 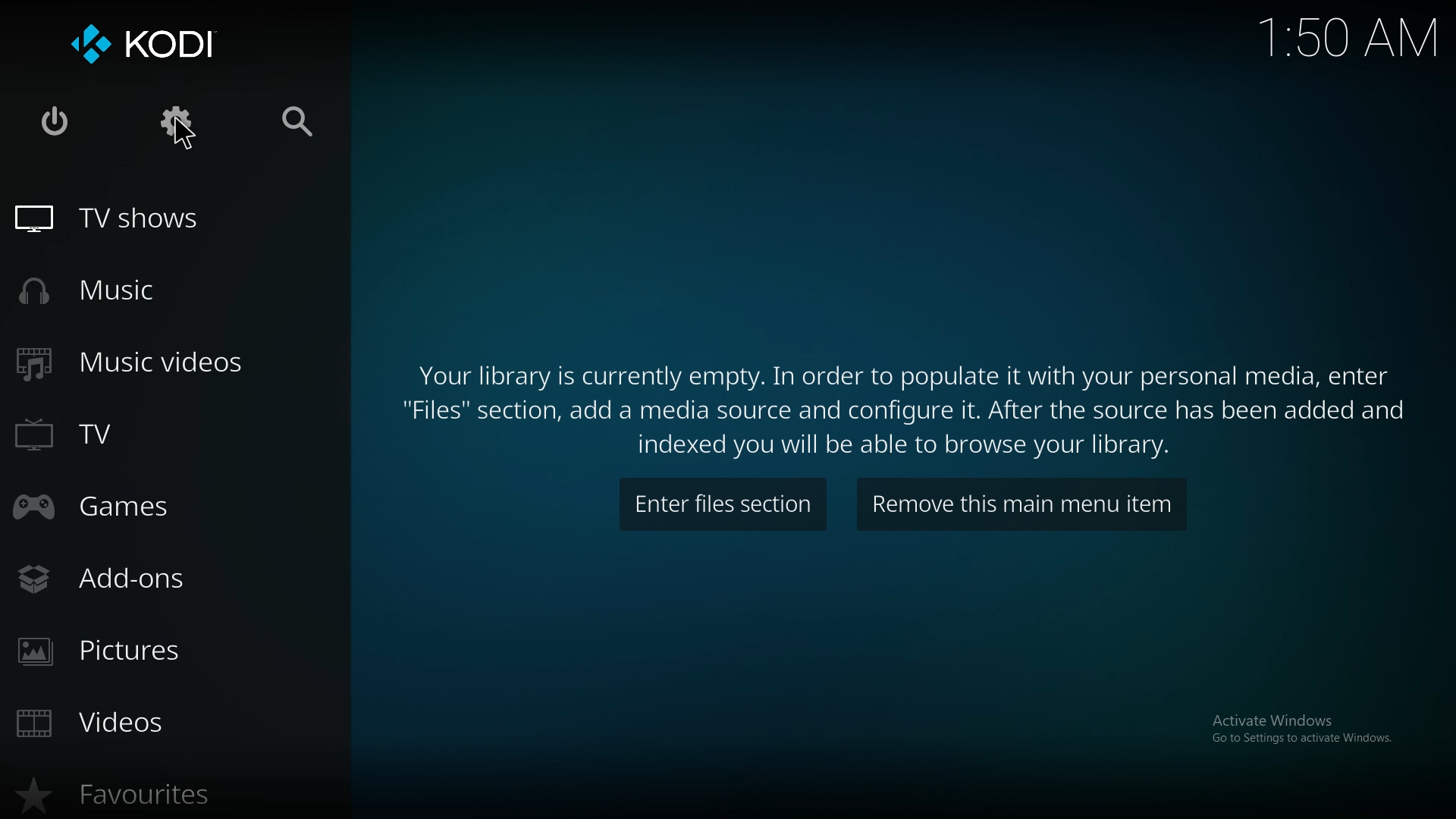 What do you see at coordinates (115, 583) in the screenshot?
I see `add ons` at bounding box center [115, 583].